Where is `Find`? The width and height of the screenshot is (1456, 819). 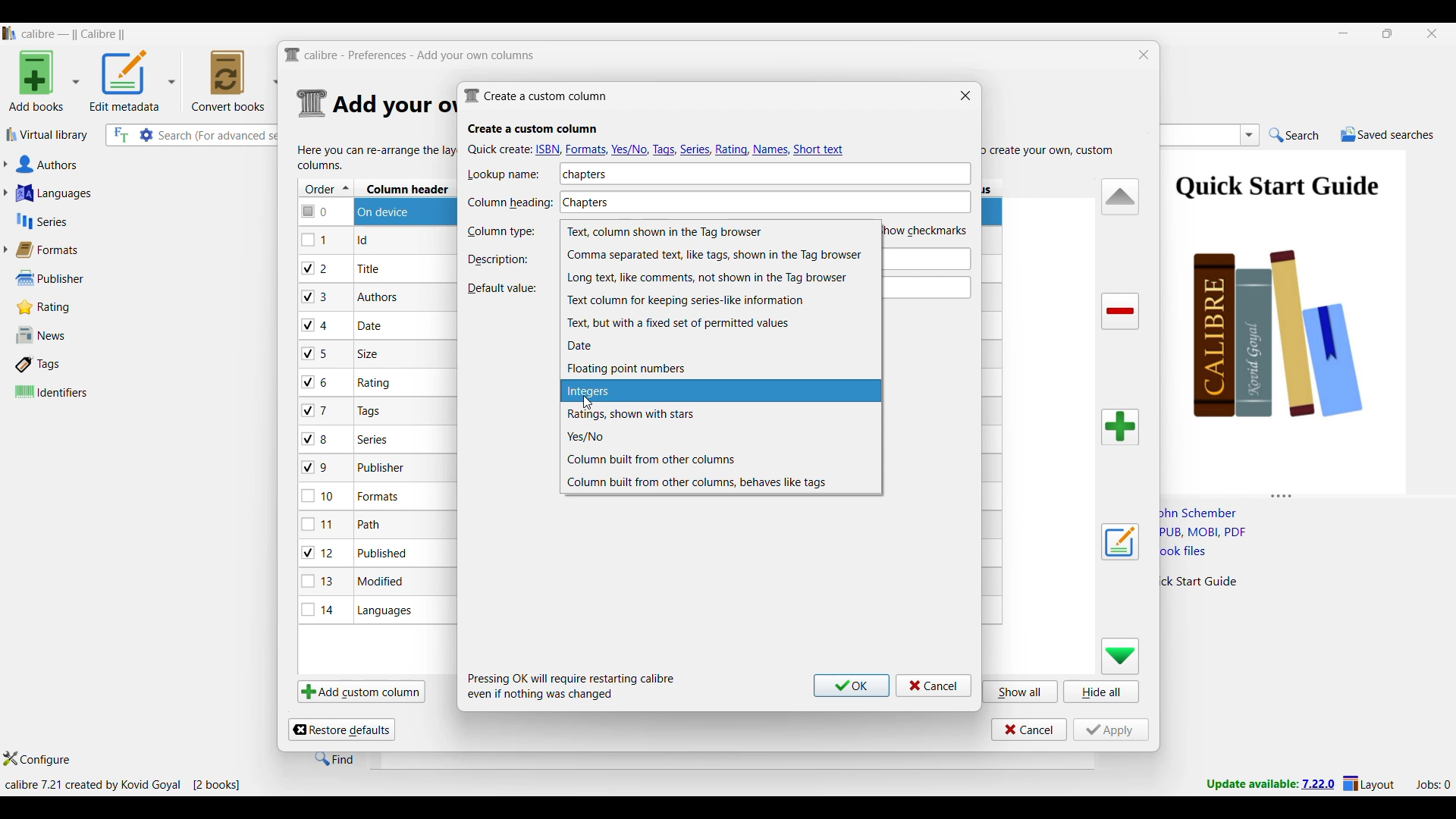
Find is located at coordinates (334, 758).